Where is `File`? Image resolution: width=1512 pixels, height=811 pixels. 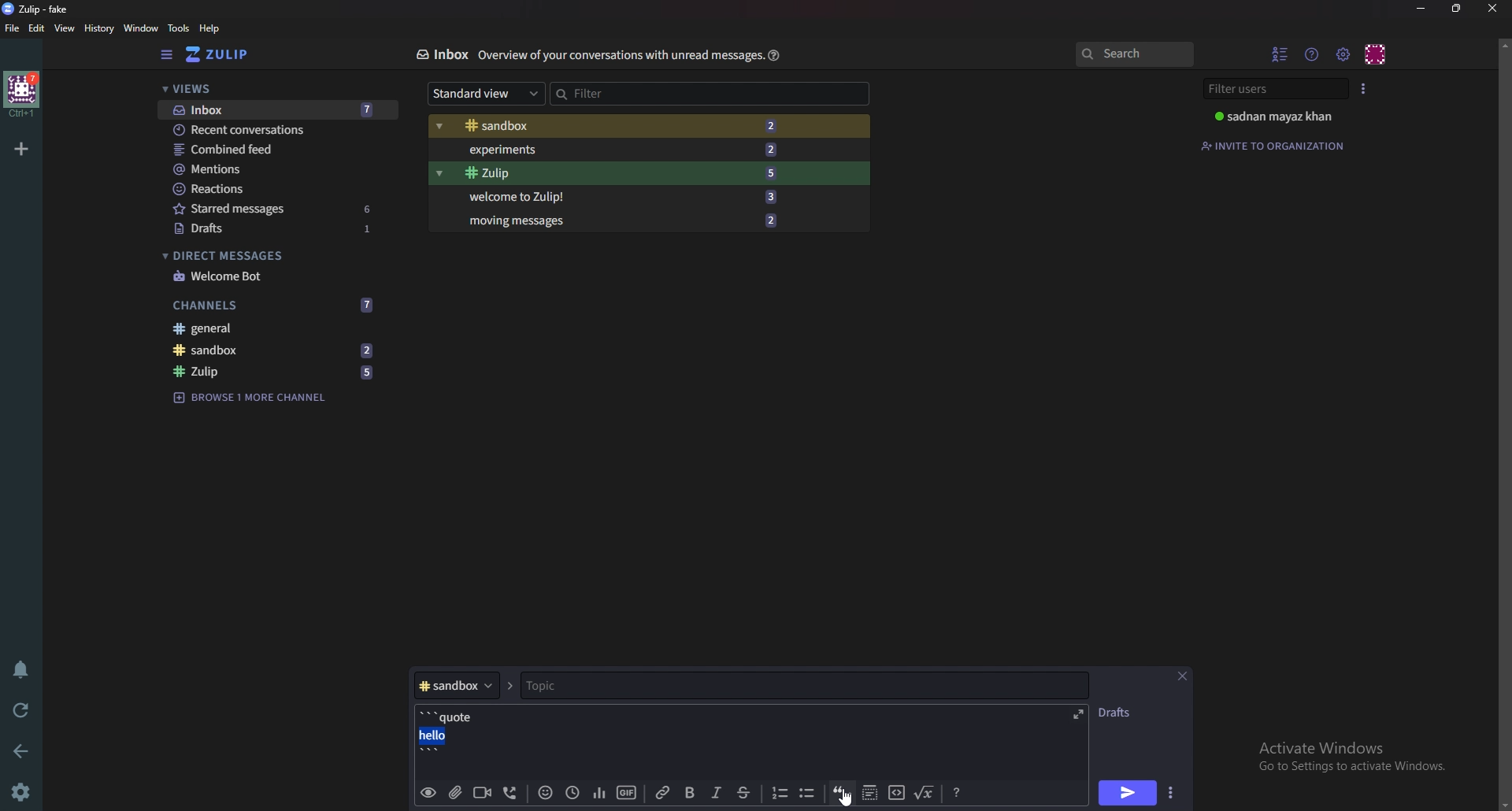 File is located at coordinates (13, 28).